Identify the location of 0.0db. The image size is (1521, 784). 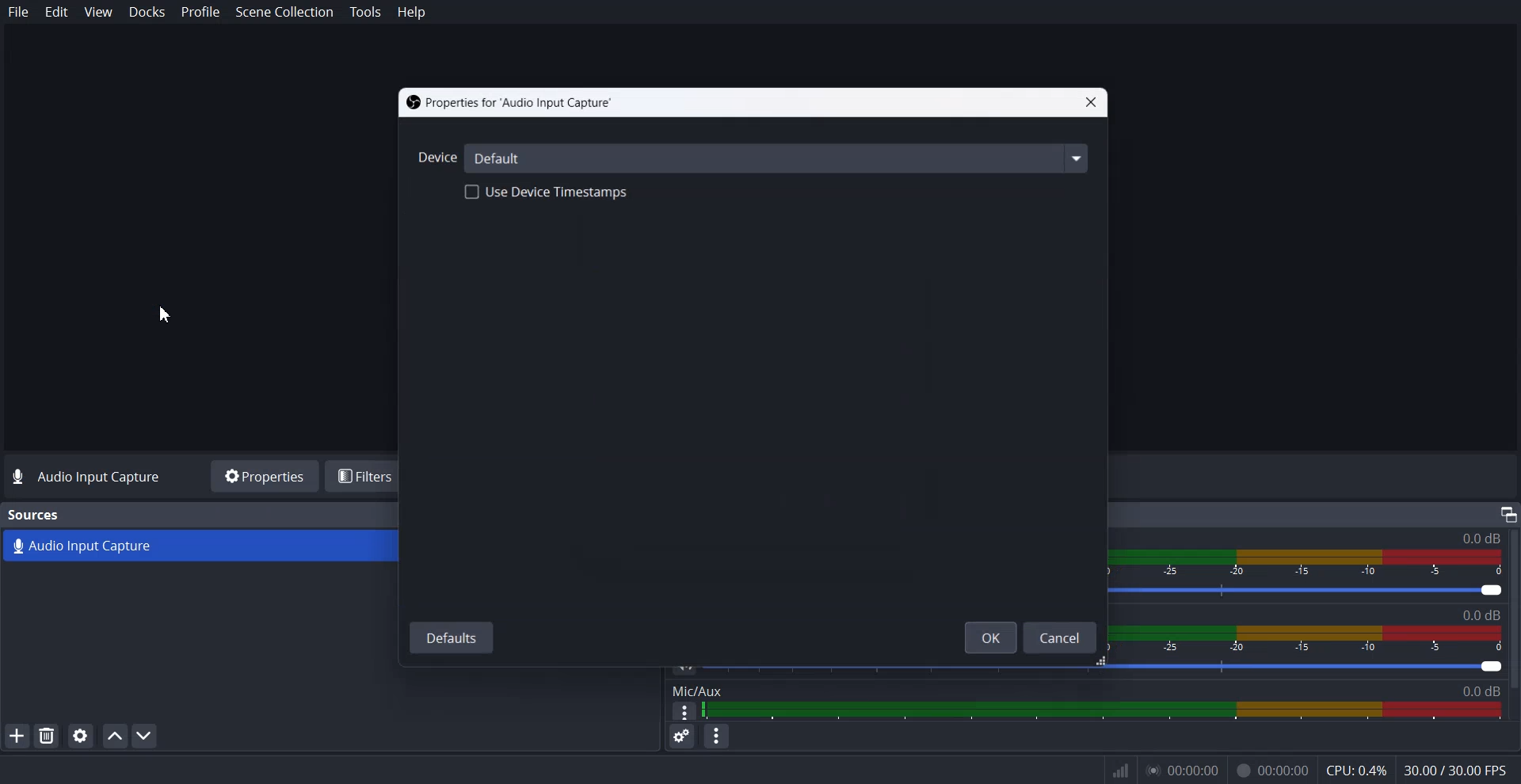
(1492, 691).